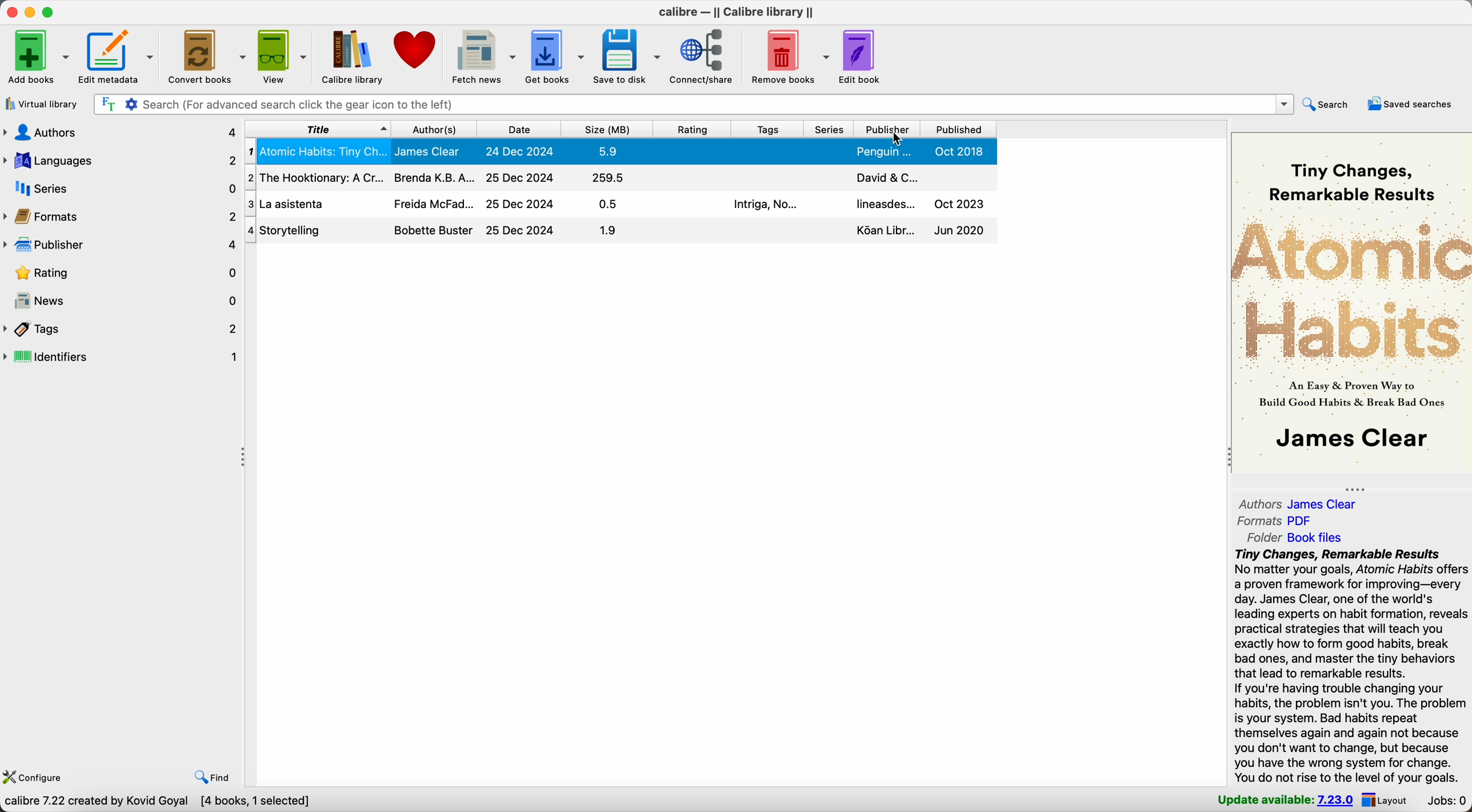 This screenshot has height=812, width=1472. I want to click on the hooktionary: ACr..., so click(323, 178).